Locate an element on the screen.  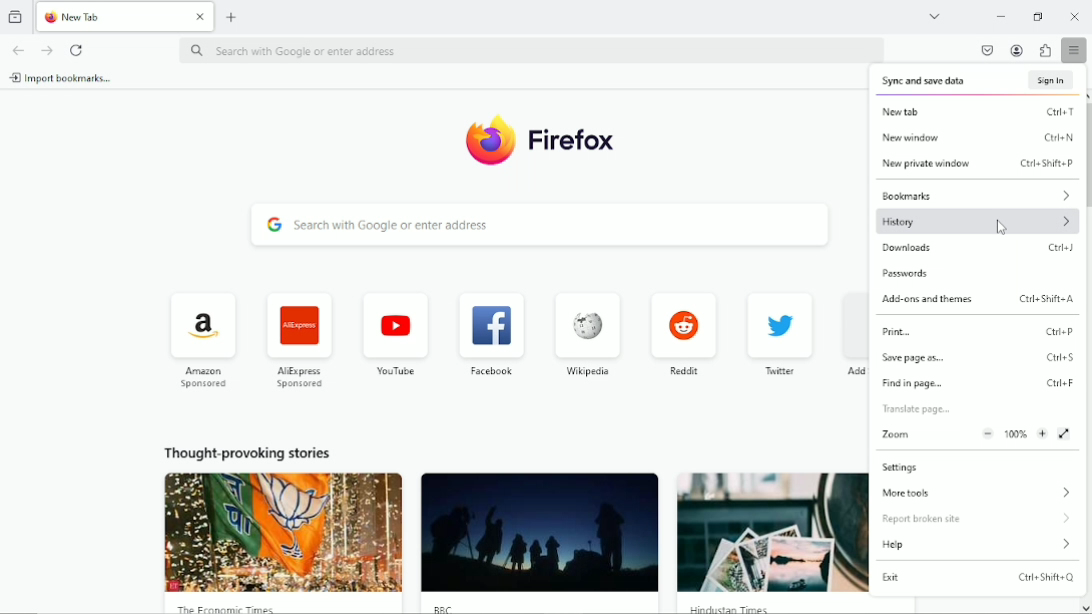
account is located at coordinates (1014, 50).